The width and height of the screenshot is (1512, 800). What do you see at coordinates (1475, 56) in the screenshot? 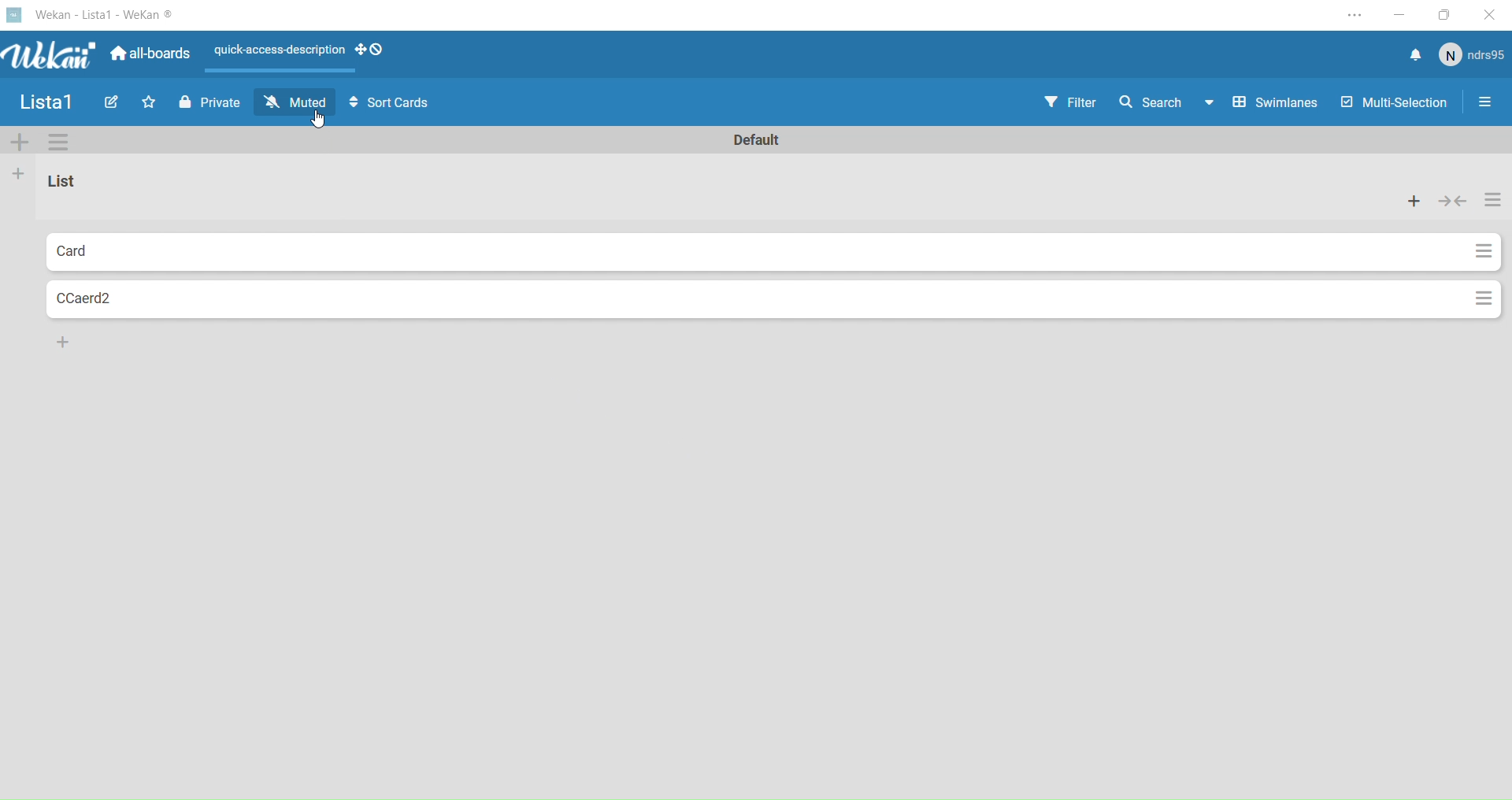
I see `User` at bounding box center [1475, 56].